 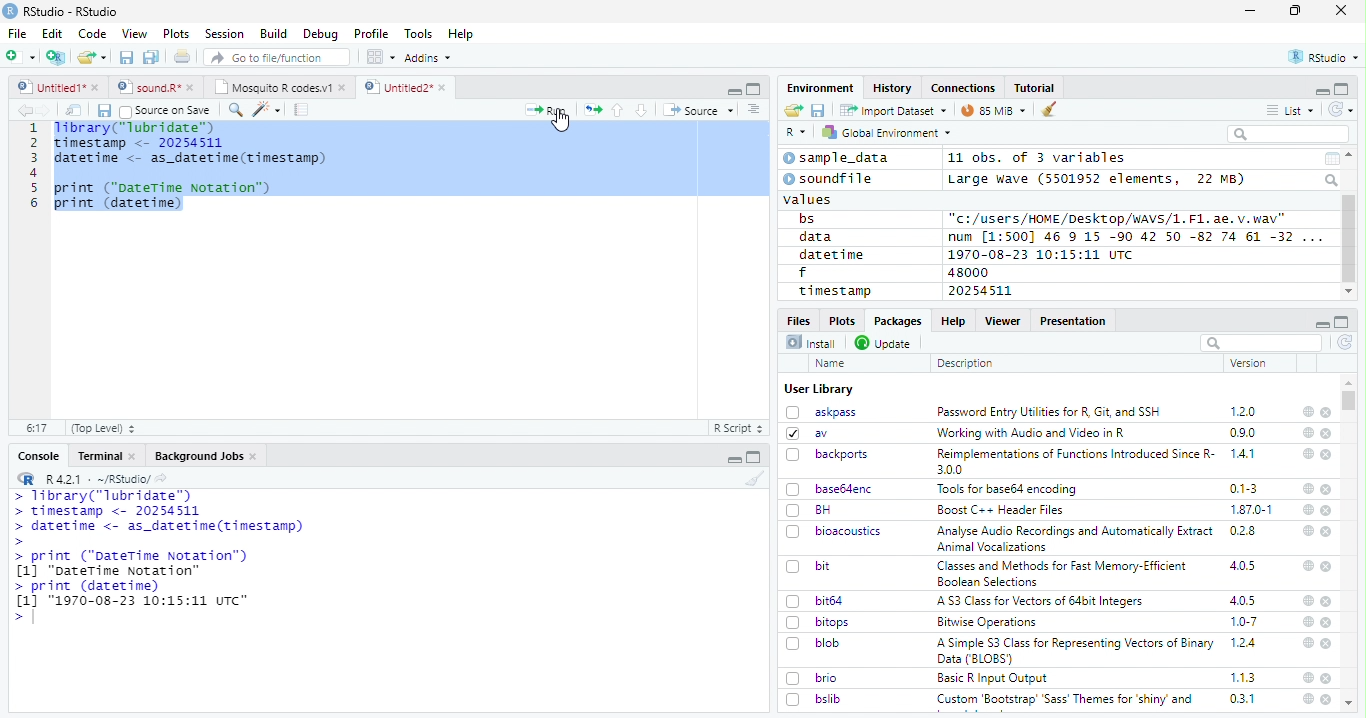 I want to click on help, so click(x=1306, y=530).